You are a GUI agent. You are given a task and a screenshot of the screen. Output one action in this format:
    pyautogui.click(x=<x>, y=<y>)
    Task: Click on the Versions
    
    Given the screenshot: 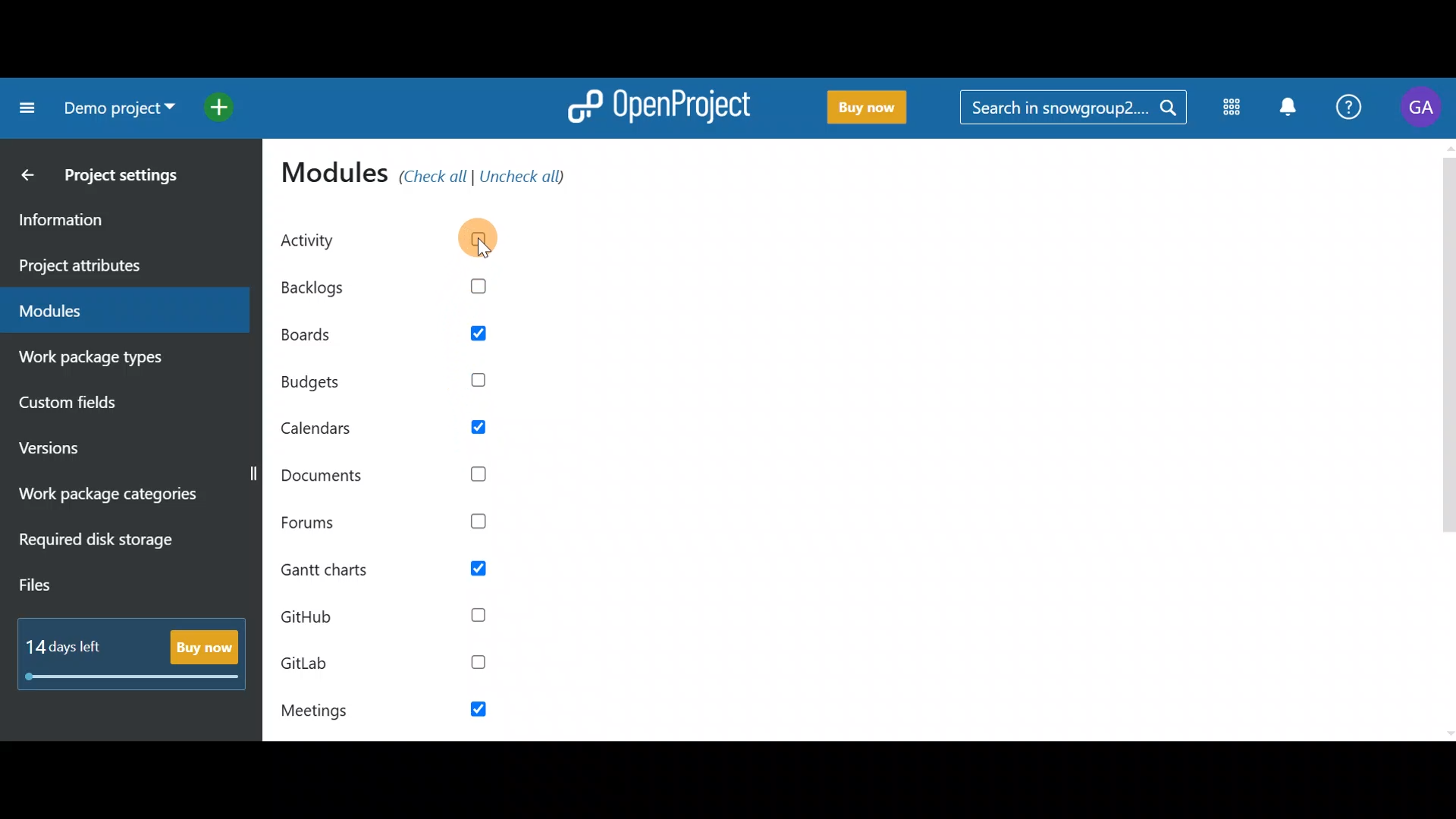 What is the action you would take?
    pyautogui.click(x=78, y=450)
    